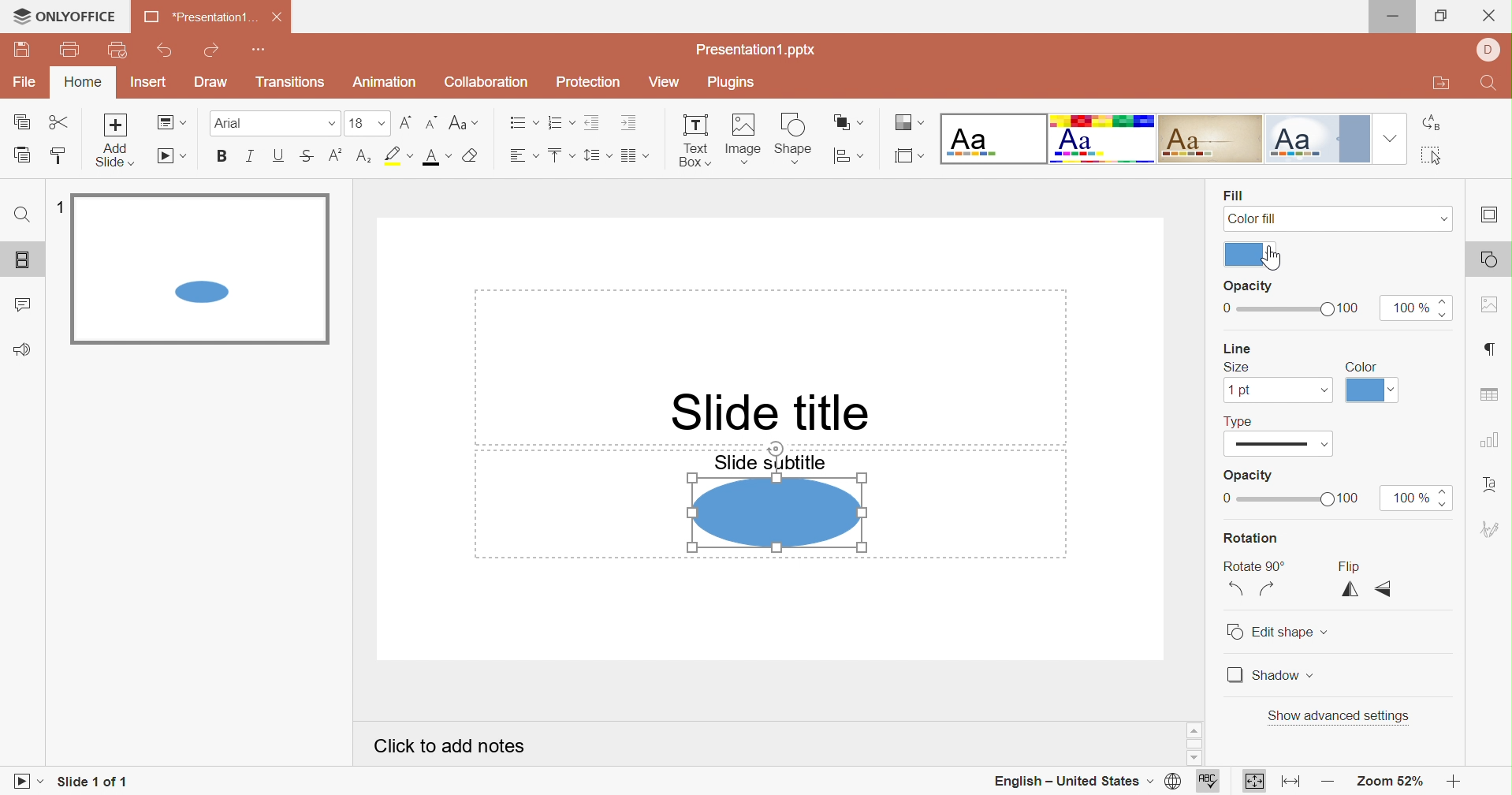 The height and width of the screenshot is (795, 1512). Describe the element at coordinates (627, 123) in the screenshot. I see `Increase Indent` at that location.